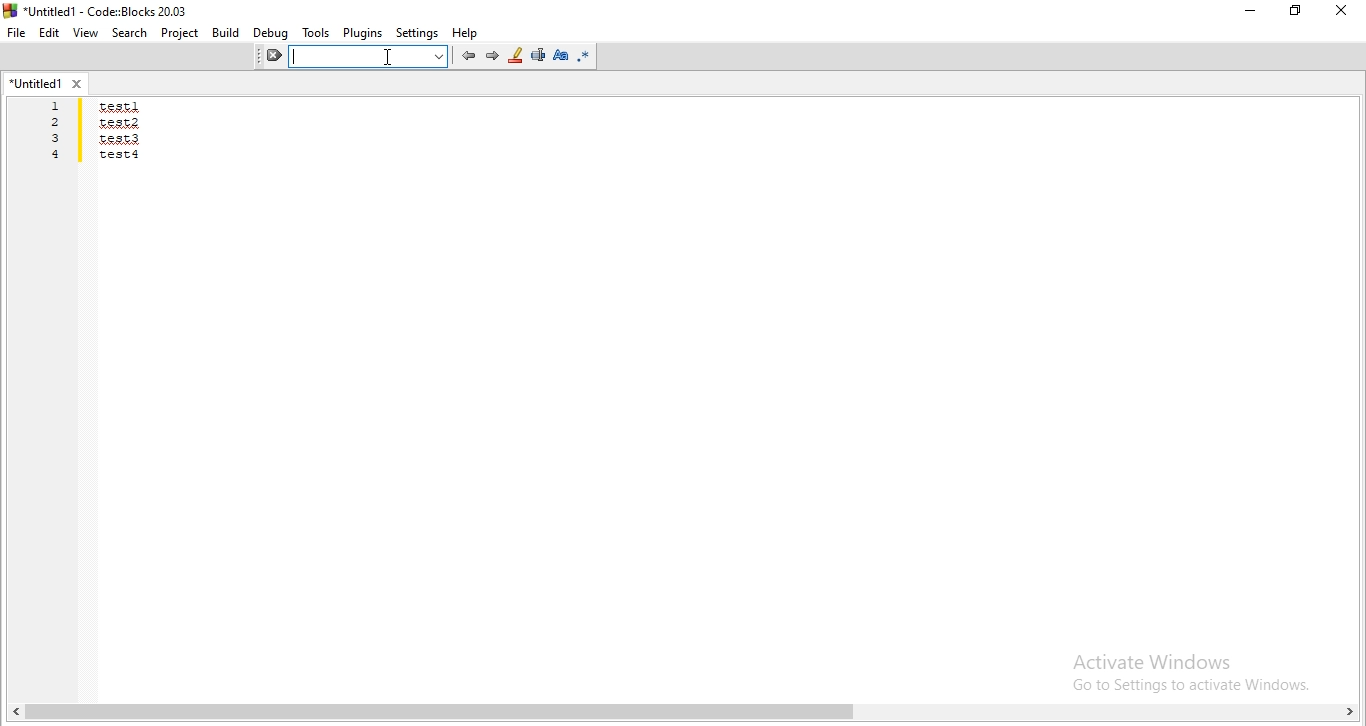 The width and height of the screenshot is (1366, 726). Describe the element at coordinates (120, 154) in the screenshot. I see `test4` at that location.